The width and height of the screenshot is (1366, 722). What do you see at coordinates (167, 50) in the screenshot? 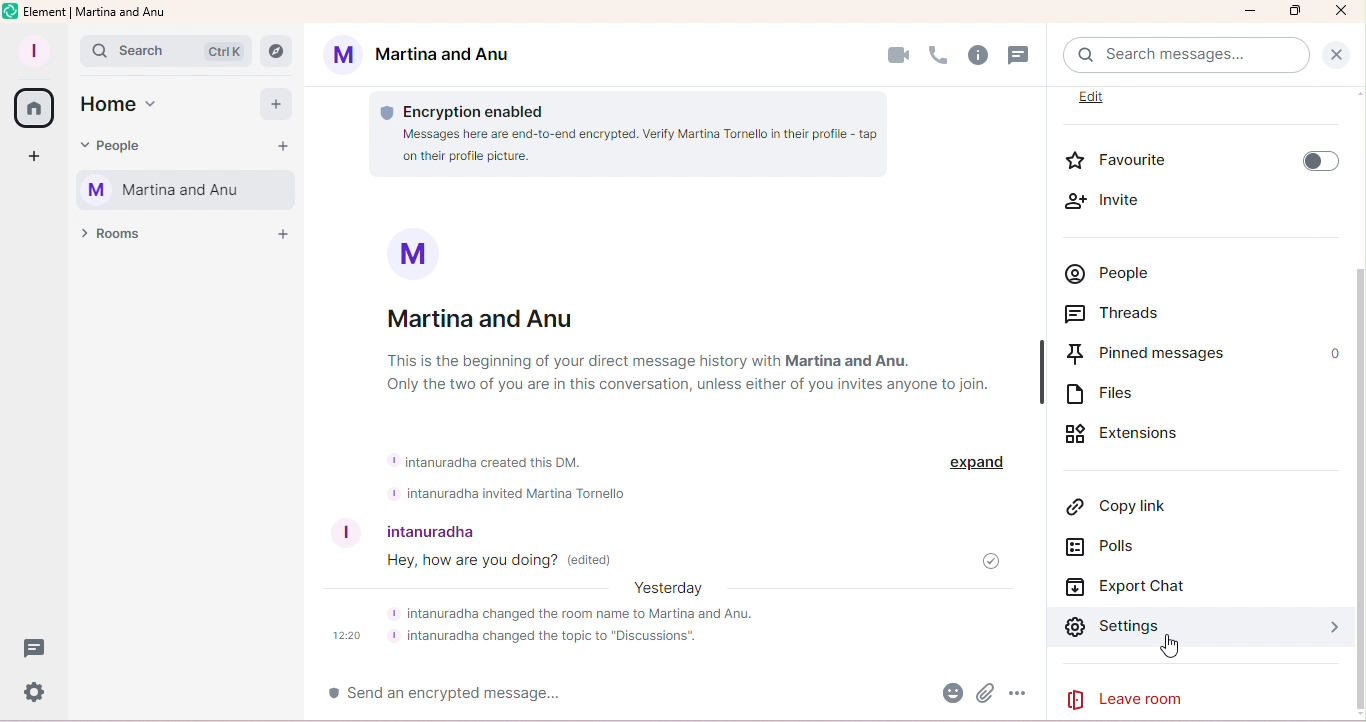
I see `Search bar` at bounding box center [167, 50].